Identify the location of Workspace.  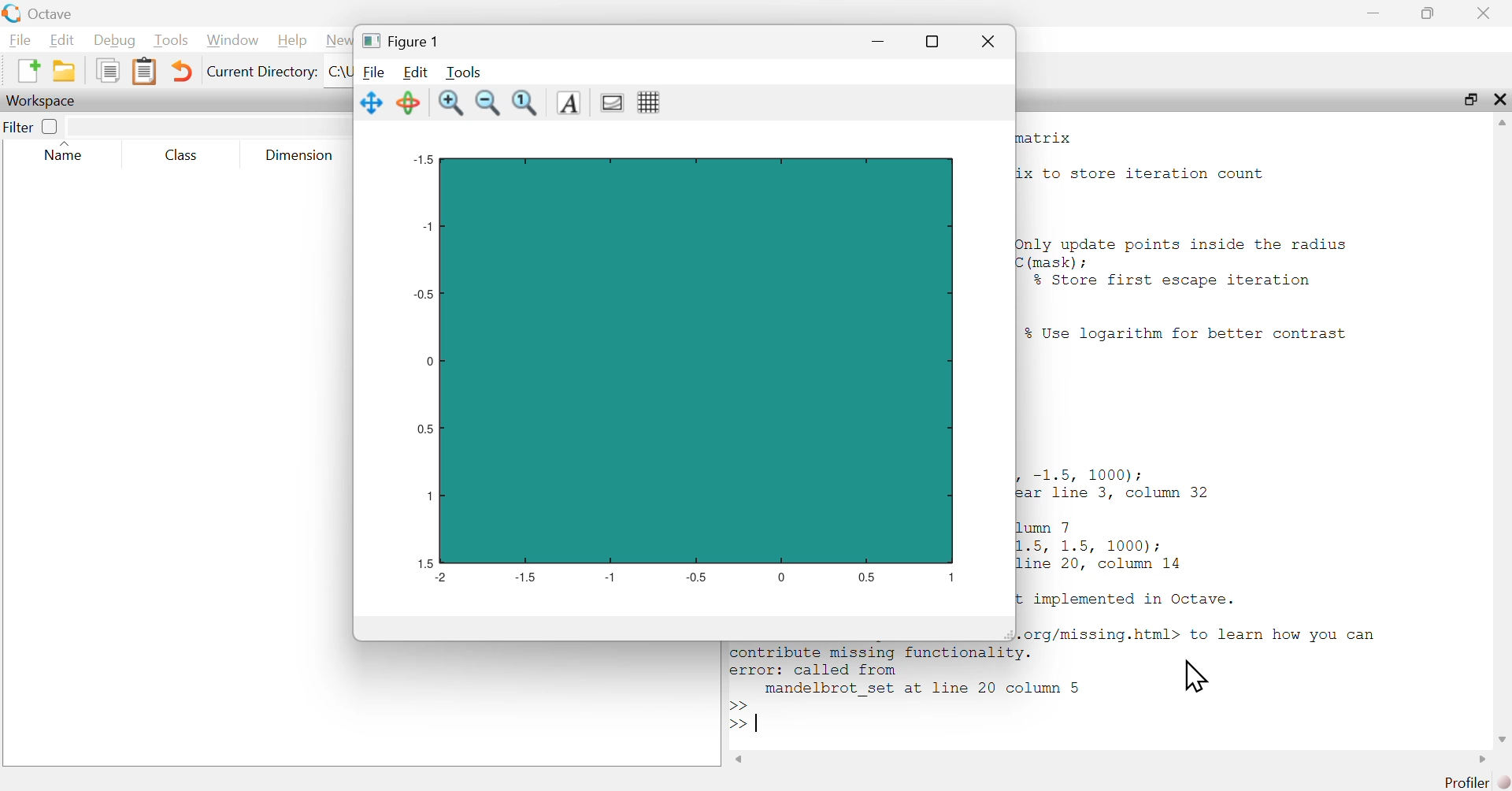
(46, 101).